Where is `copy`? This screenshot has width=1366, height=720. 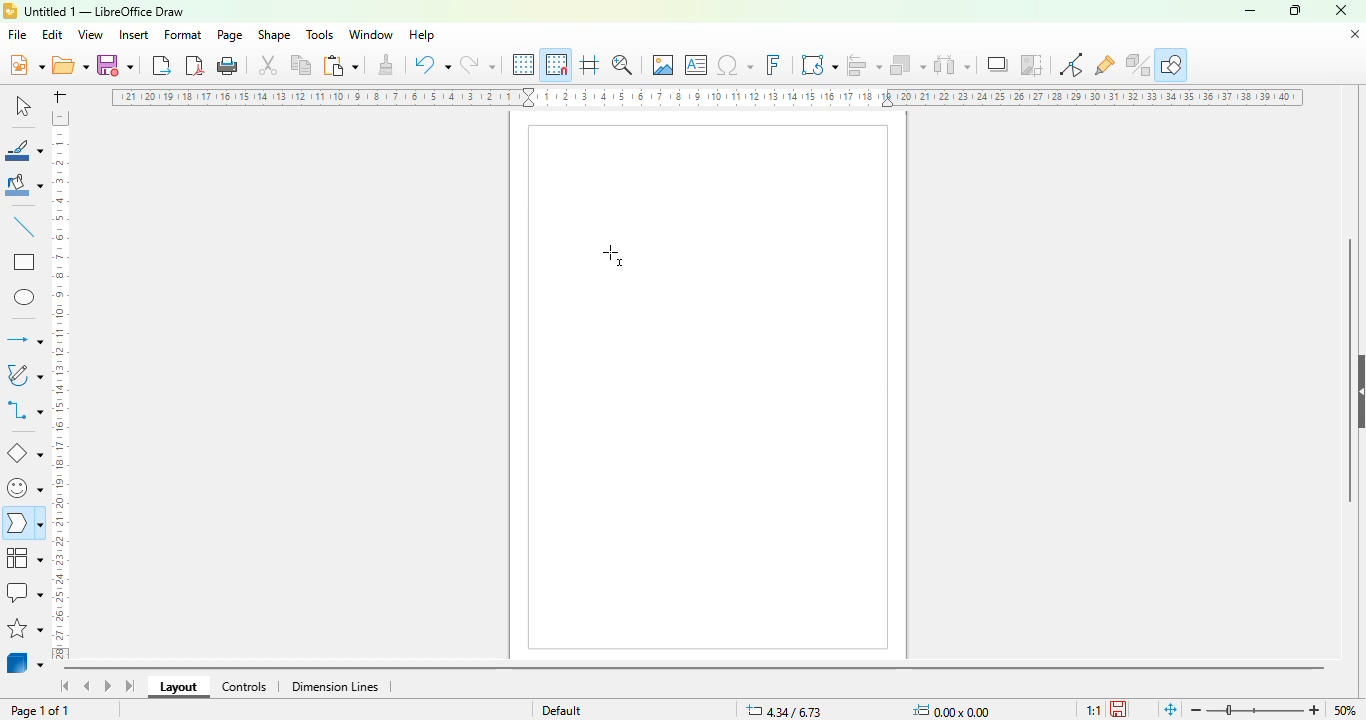 copy is located at coordinates (301, 65).